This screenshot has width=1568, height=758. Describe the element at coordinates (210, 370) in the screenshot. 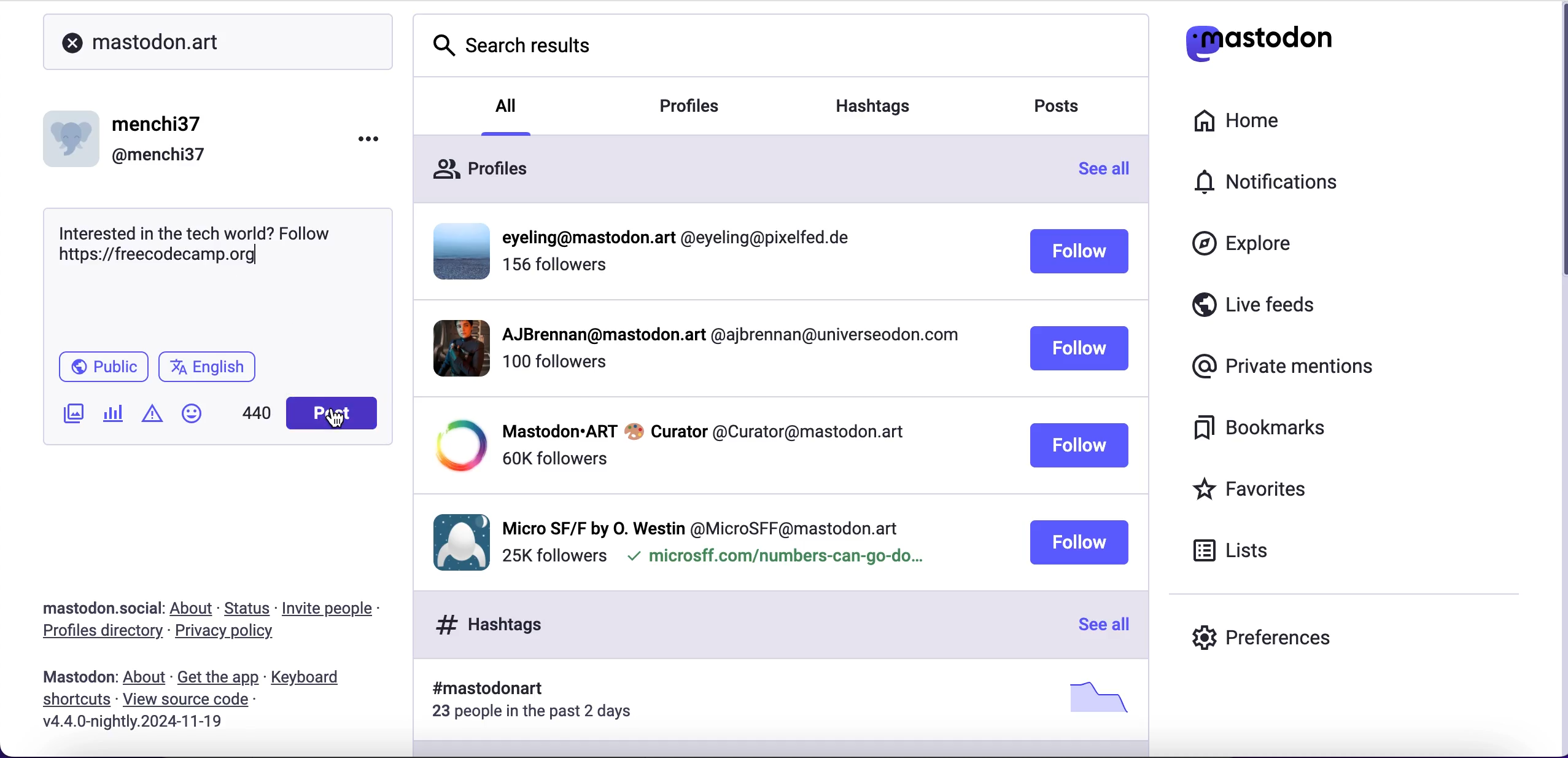

I see `english` at that location.